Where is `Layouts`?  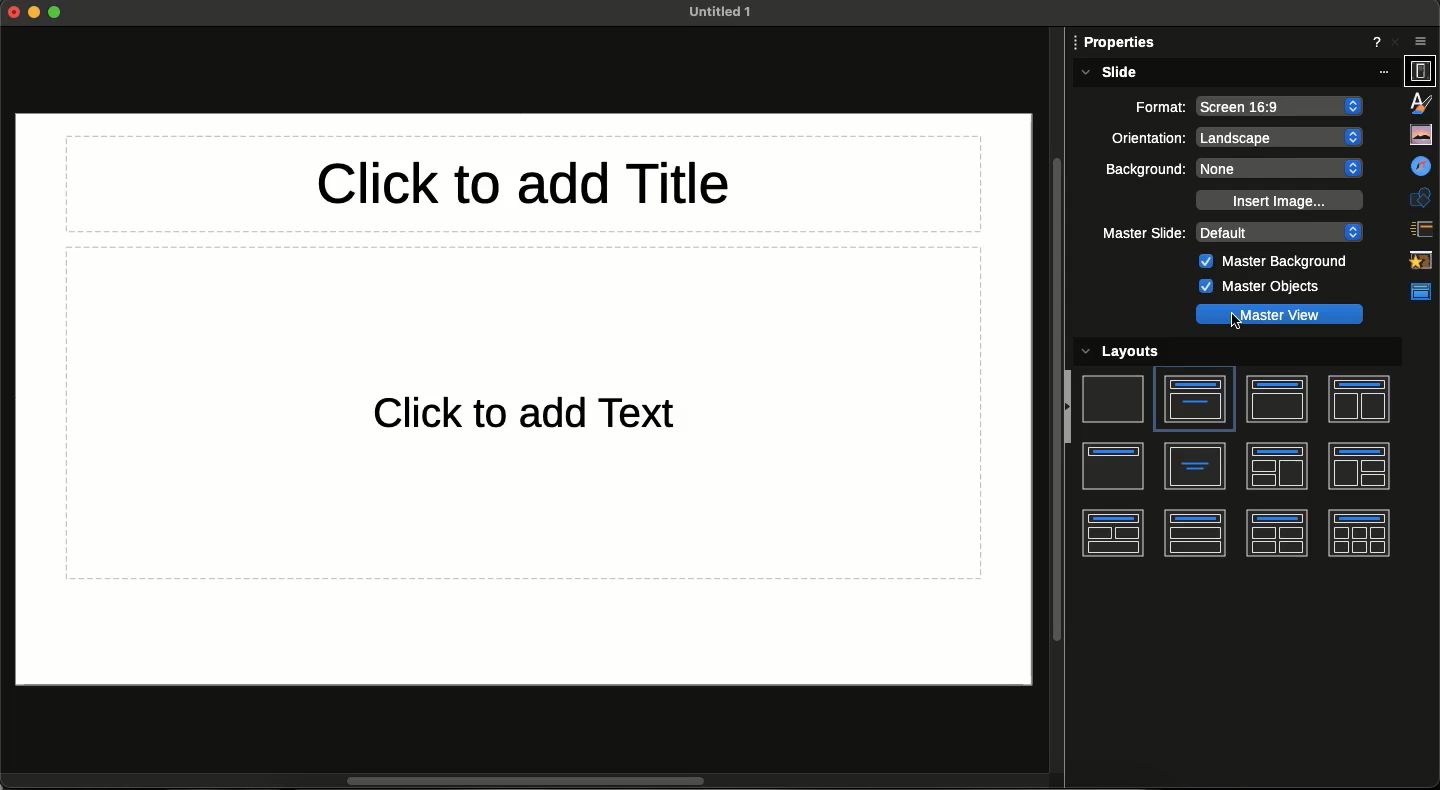 Layouts is located at coordinates (1134, 352).